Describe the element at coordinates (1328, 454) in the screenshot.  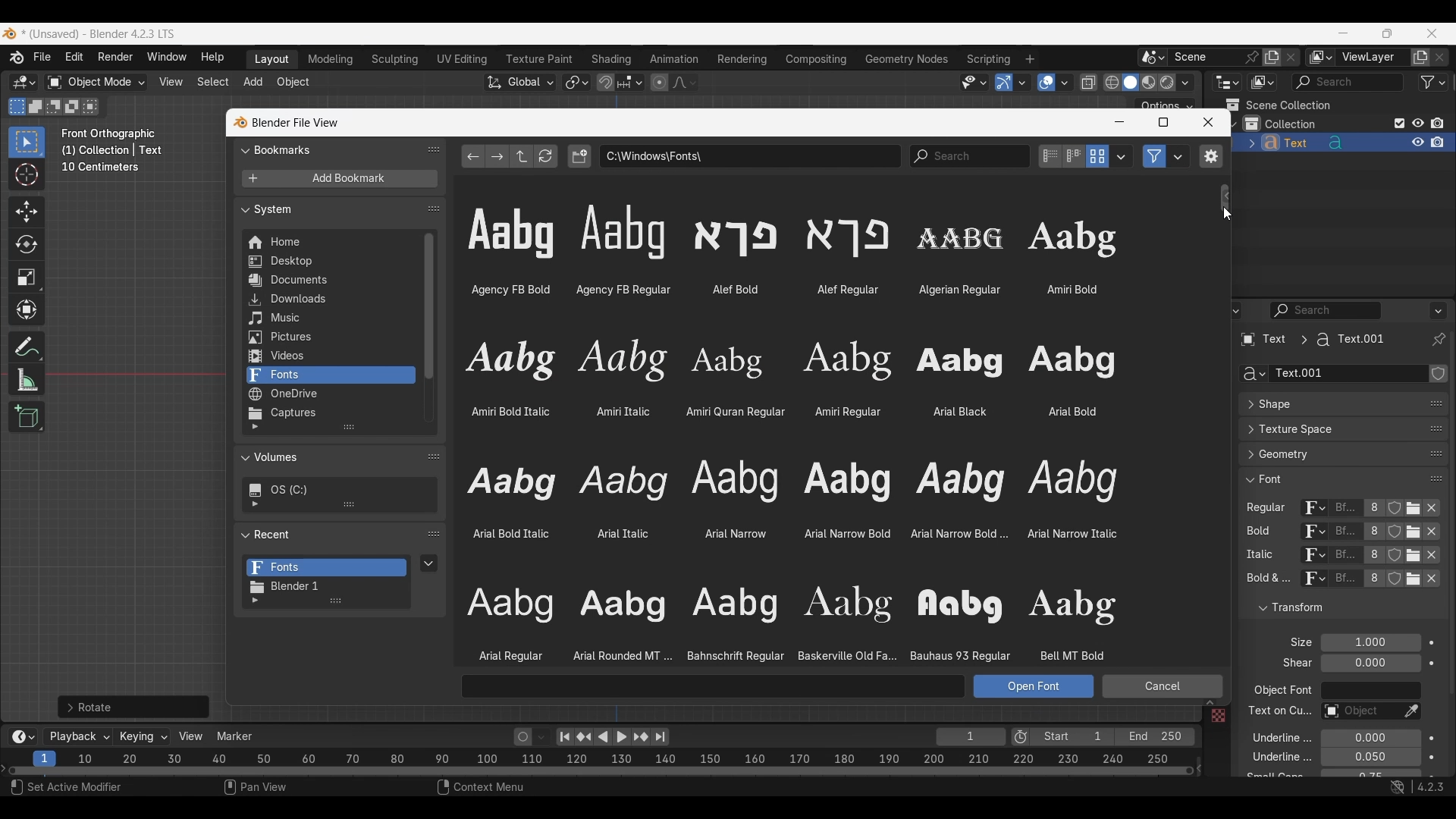
I see `Click to expand Geometry` at that location.